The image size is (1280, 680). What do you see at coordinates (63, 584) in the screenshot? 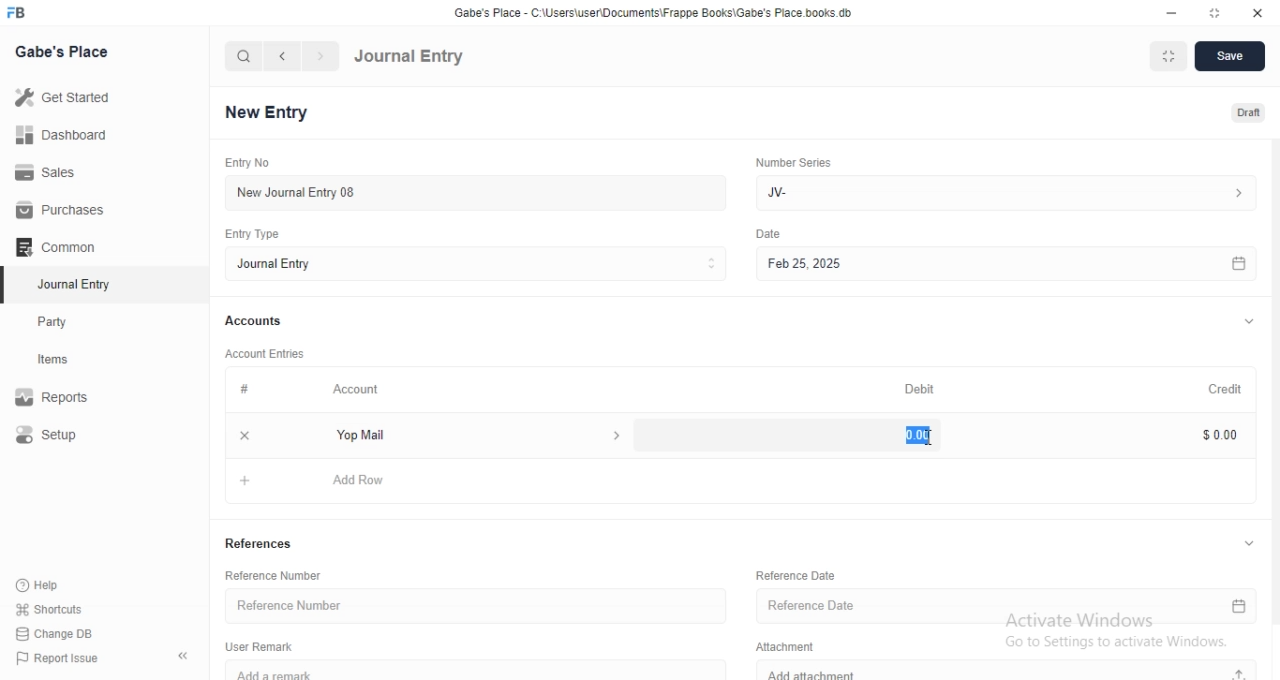
I see `Help` at bounding box center [63, 584].